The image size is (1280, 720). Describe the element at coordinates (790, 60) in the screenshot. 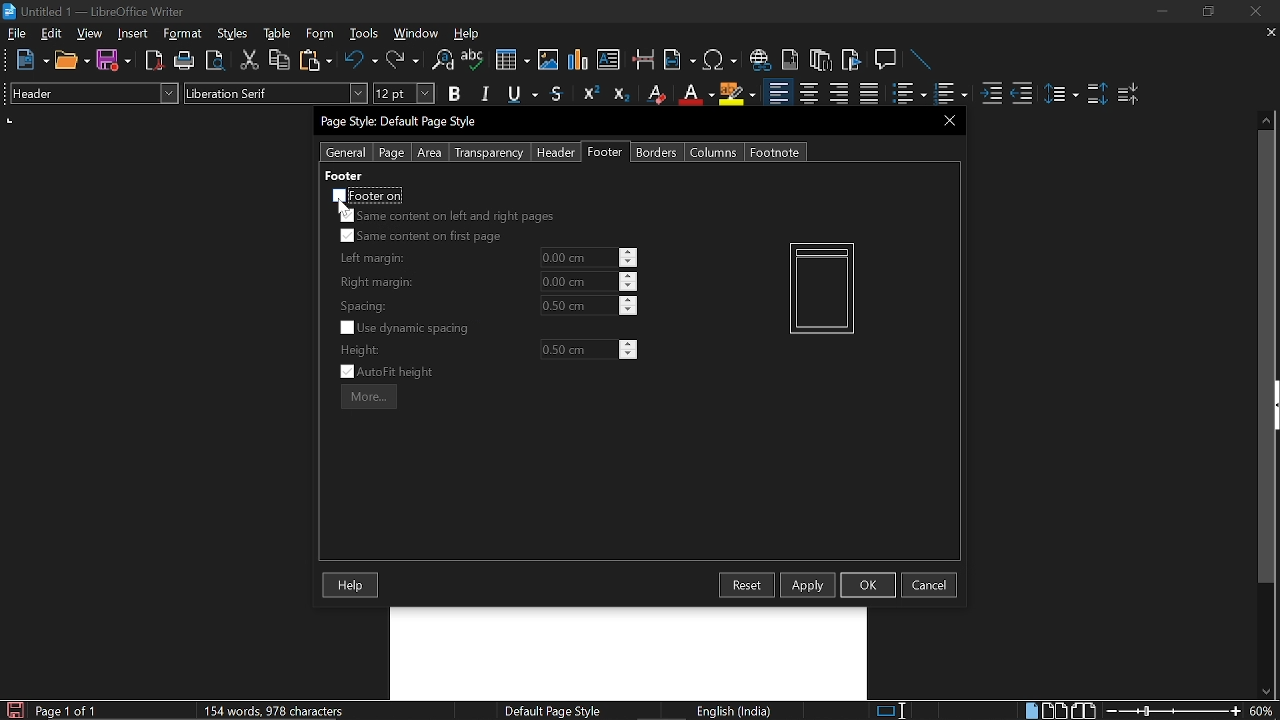

I see `Insert endnote` at that location.